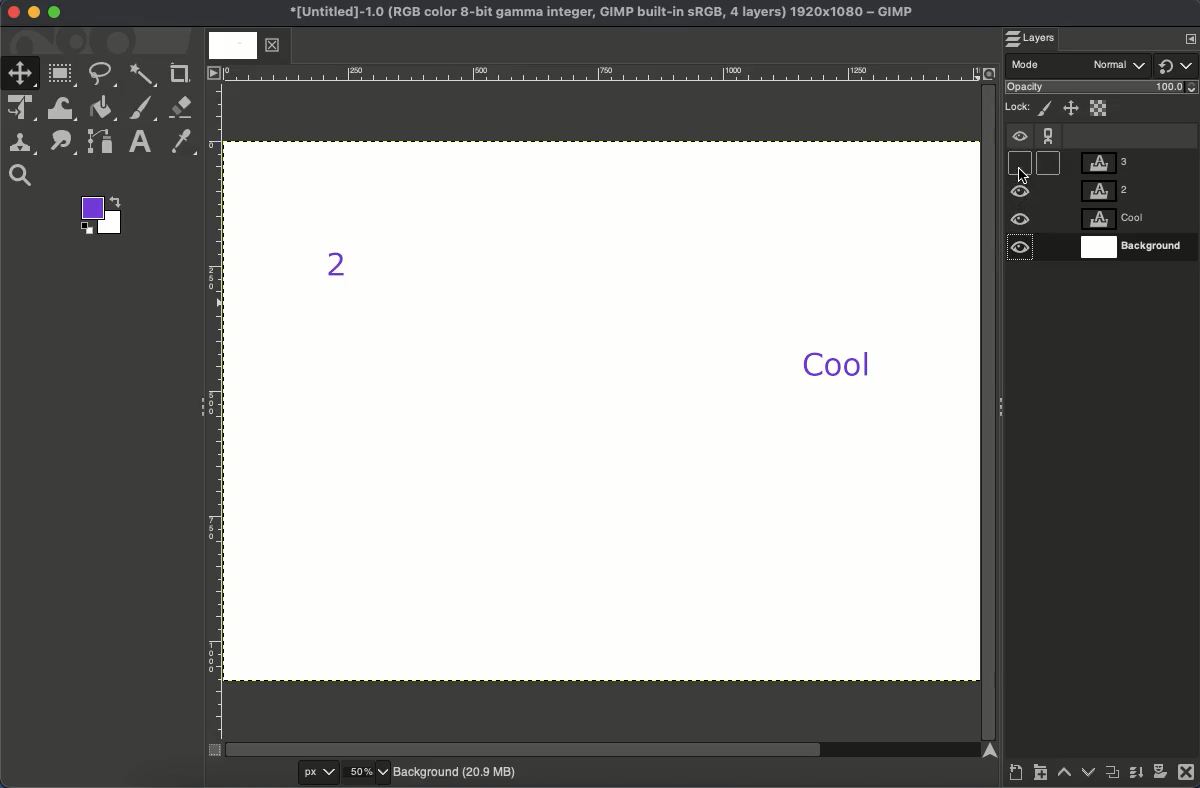 The image size is (1200, 788). Describe the element at coordinates (988, 409) in the screenshot. I see `Scroll` at that location.